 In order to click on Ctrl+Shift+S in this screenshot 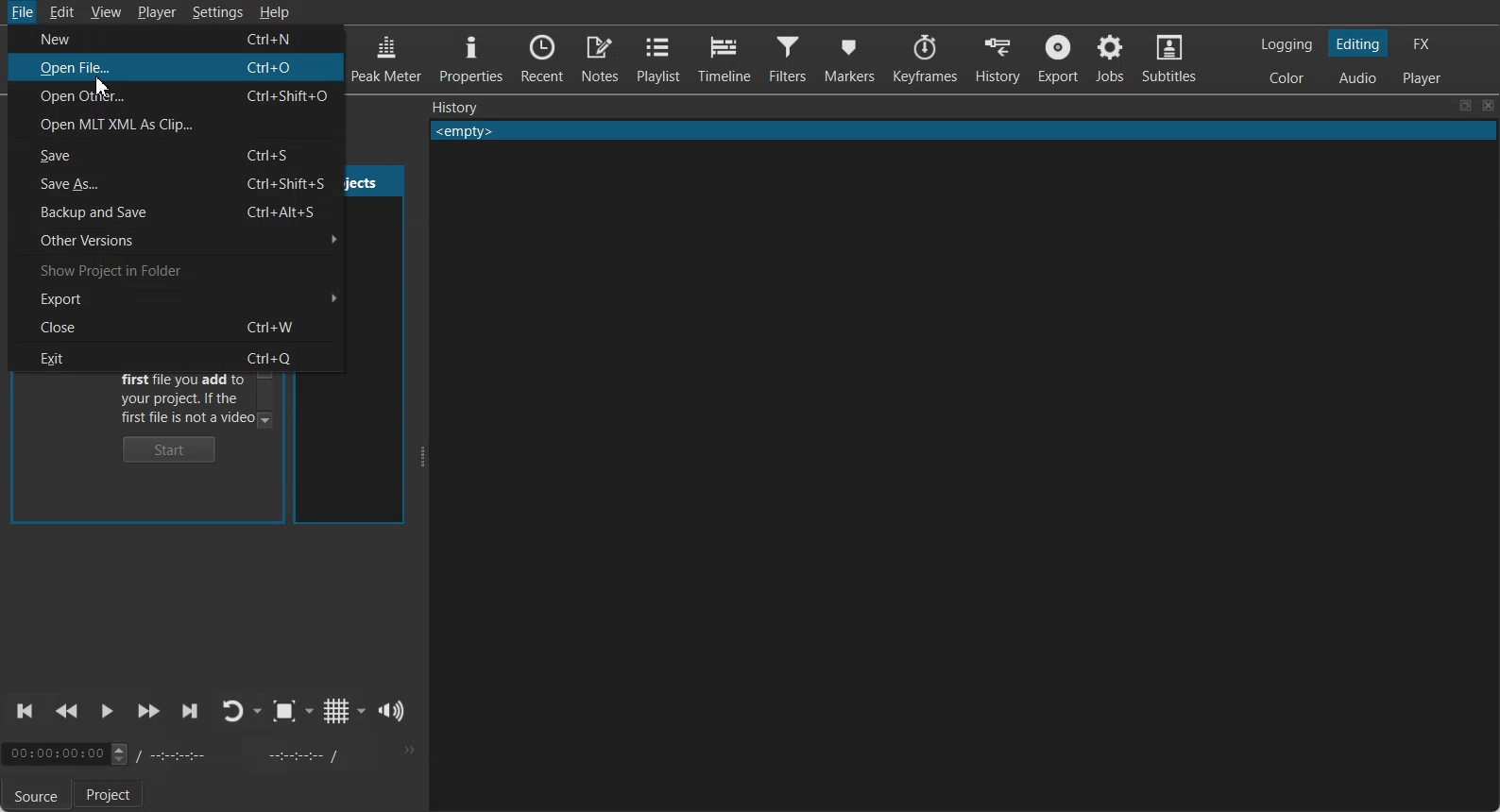, I will do `click(293, 183)`.